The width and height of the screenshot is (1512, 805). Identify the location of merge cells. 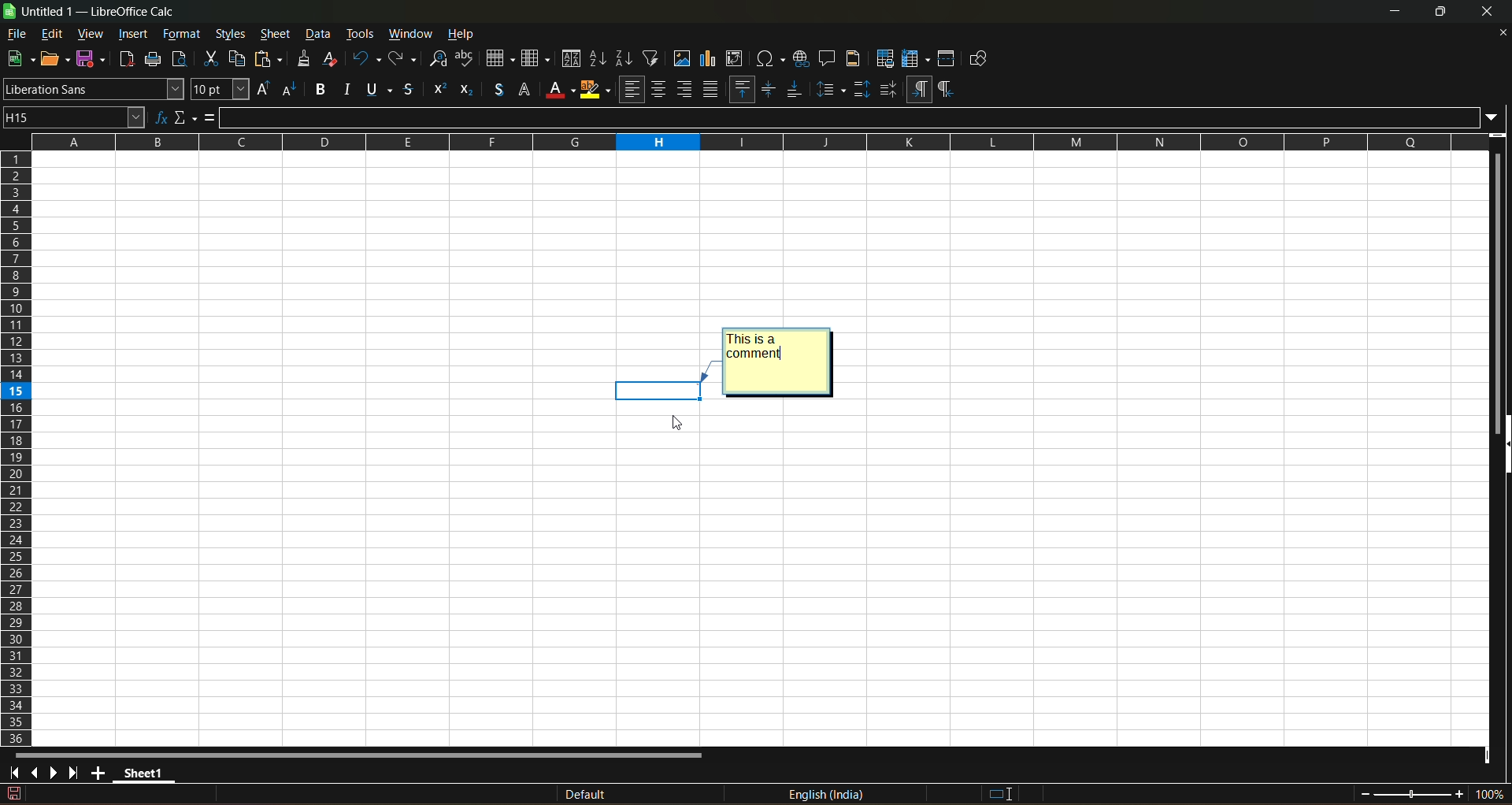
(666, 90).